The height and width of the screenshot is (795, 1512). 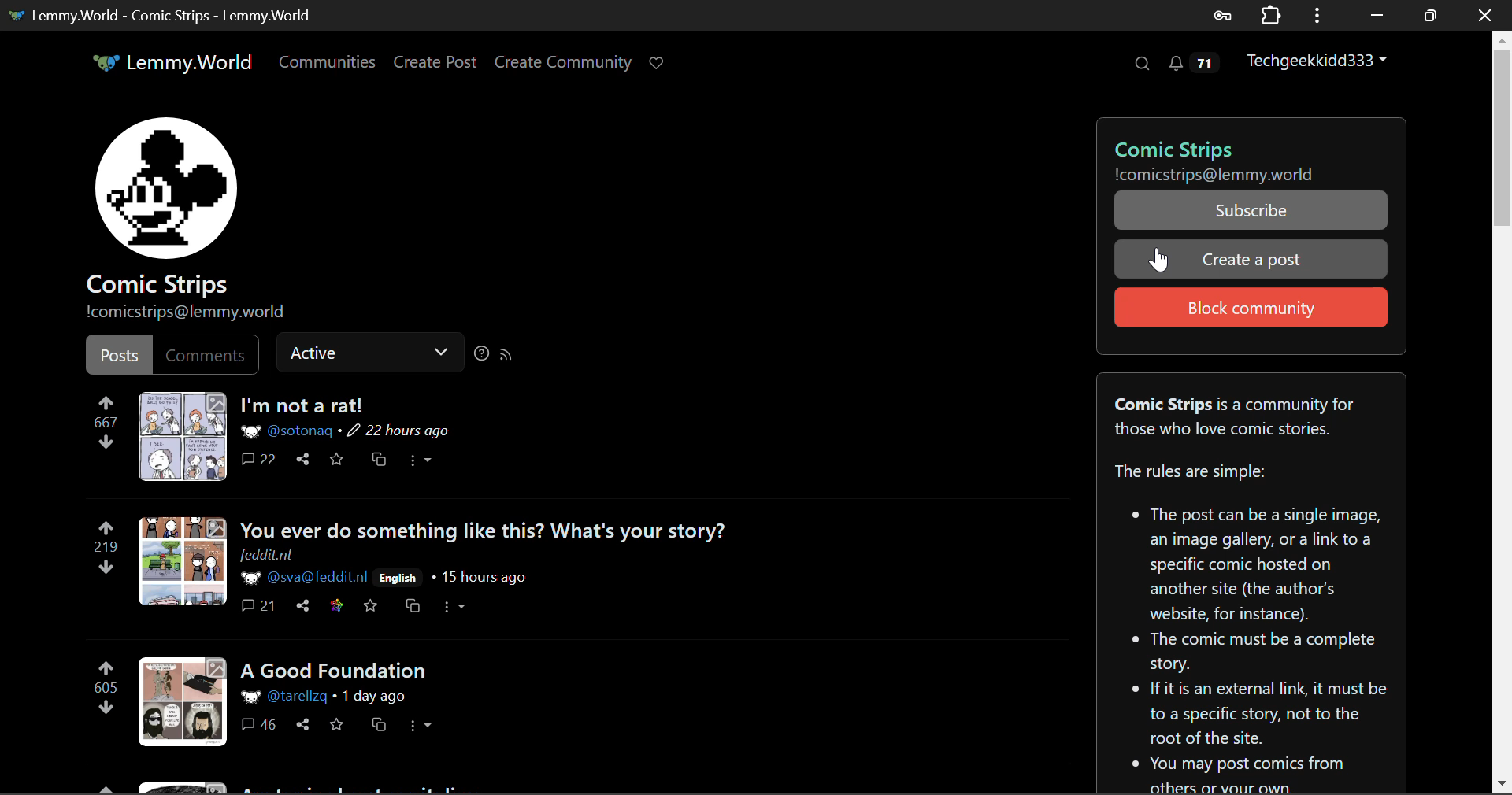 What do you see at coordinates (1254, 582) in the screenshot?
I see `Comic Strips is a community for those who love comic stories. The rules are simple:* The post can be a single image, an image gallery, or a link to a specific comic hosted on another site (the author's website, for instance).* The comic must be a complete story. If it is an external link, it must be to a specific story, not to the root of the site.* You may post comics from others or your own.` at bounding box center [1254, 582].